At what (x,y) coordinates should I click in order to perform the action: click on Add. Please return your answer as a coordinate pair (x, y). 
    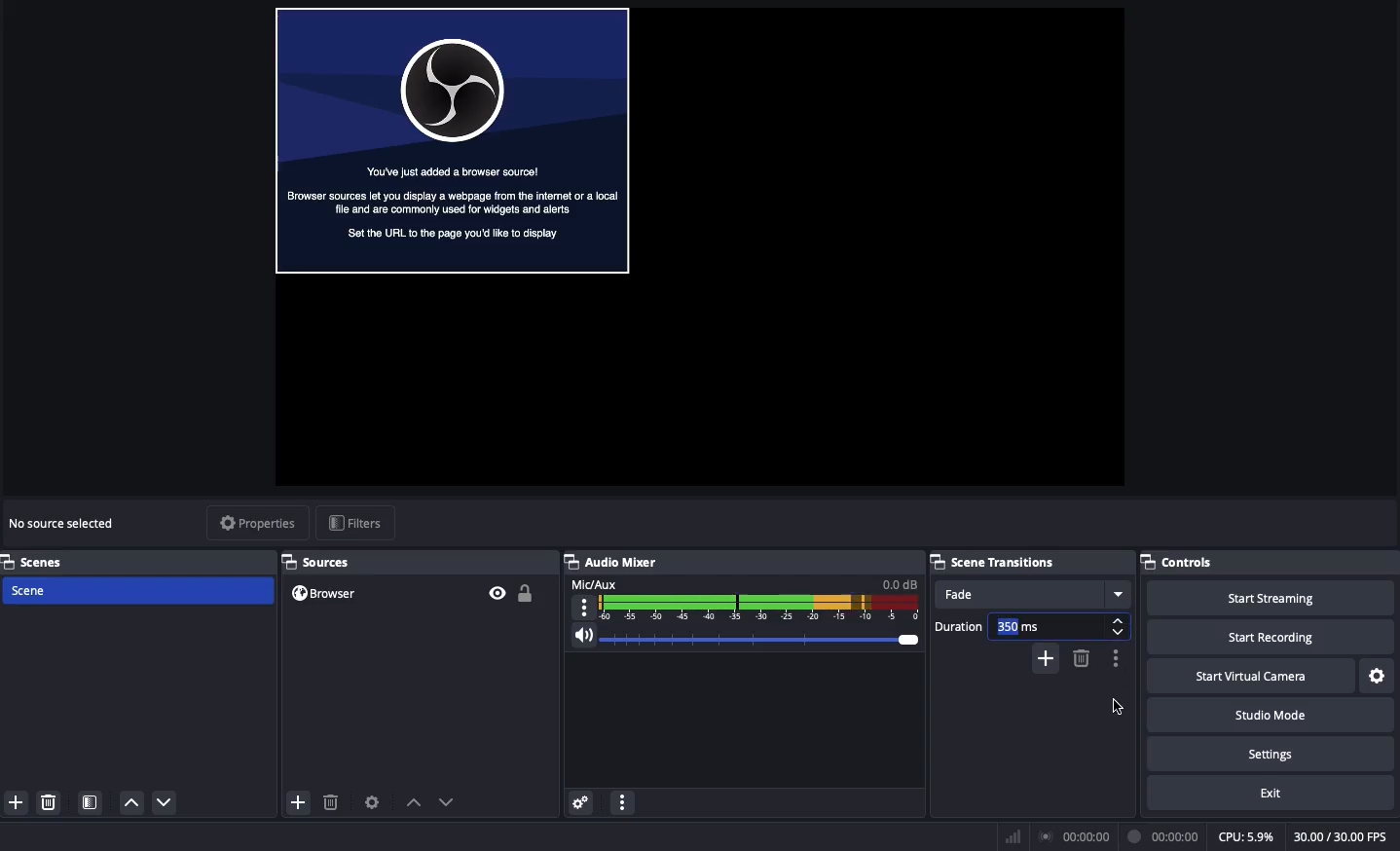
    Looking at the image, I should click on (18, 803).